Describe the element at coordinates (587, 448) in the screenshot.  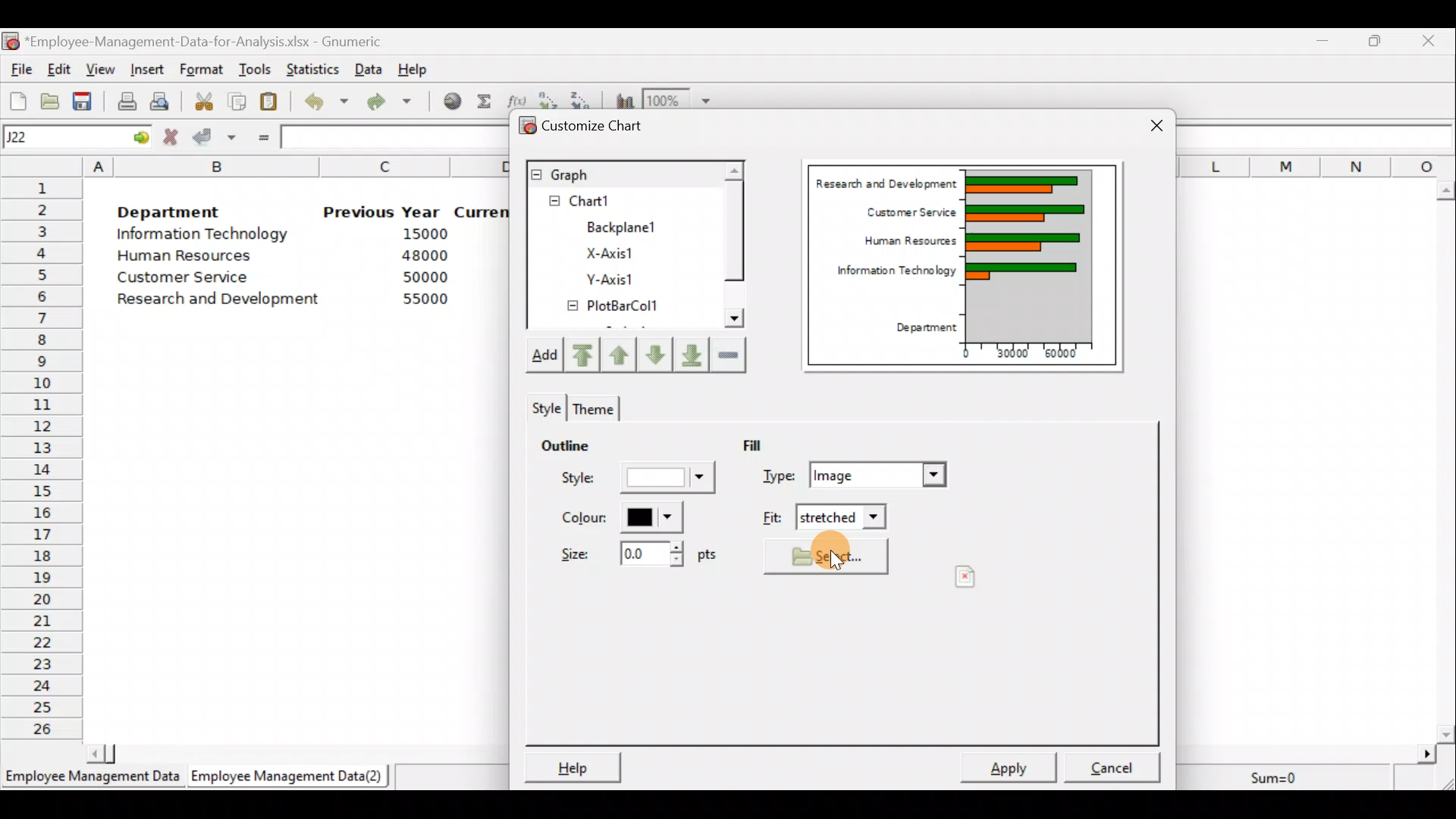
I see `Outline` at that location.